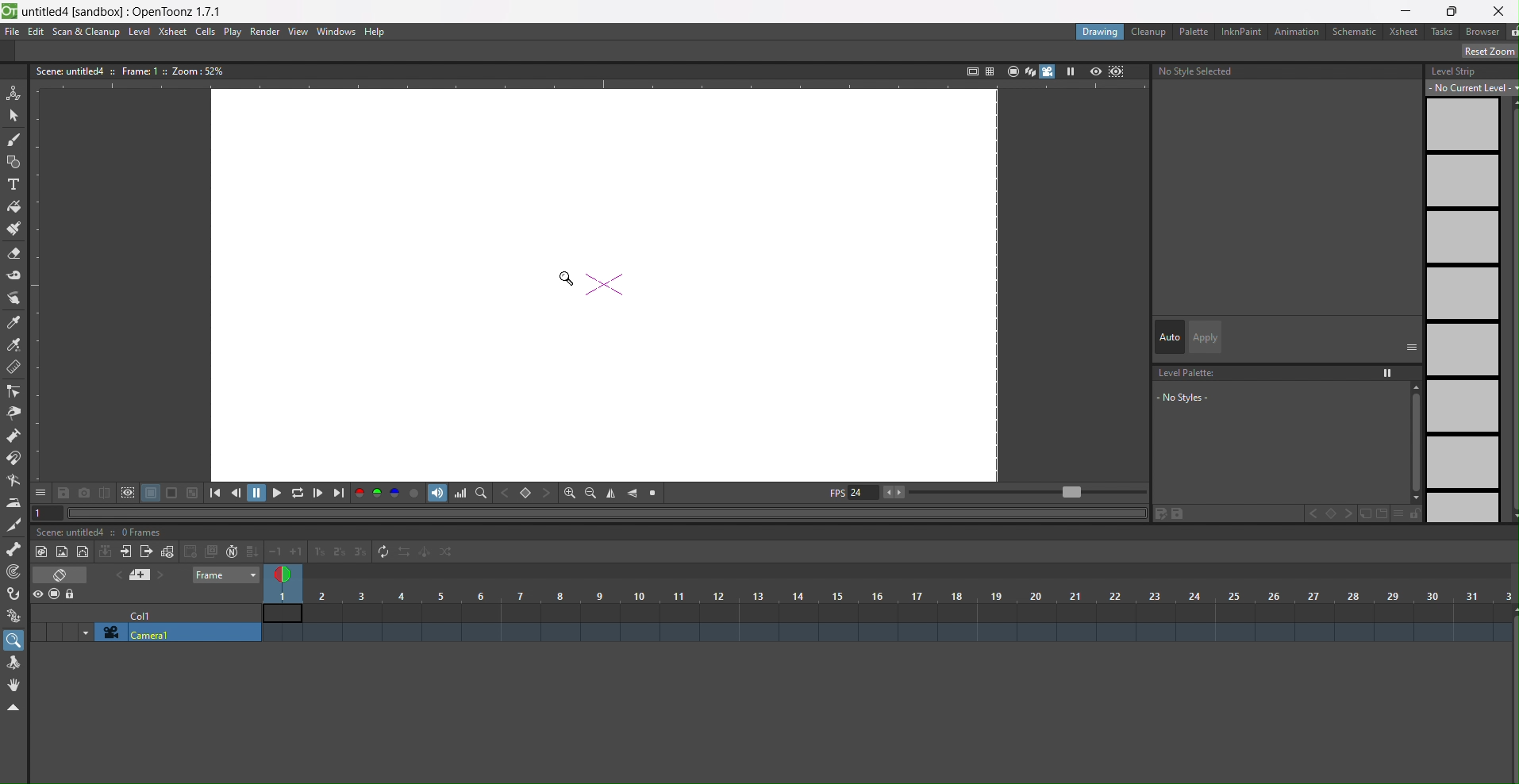  What do you see at coordinates (13, 616) in the screenshot?
I see `` at bounding box center [13, 616].